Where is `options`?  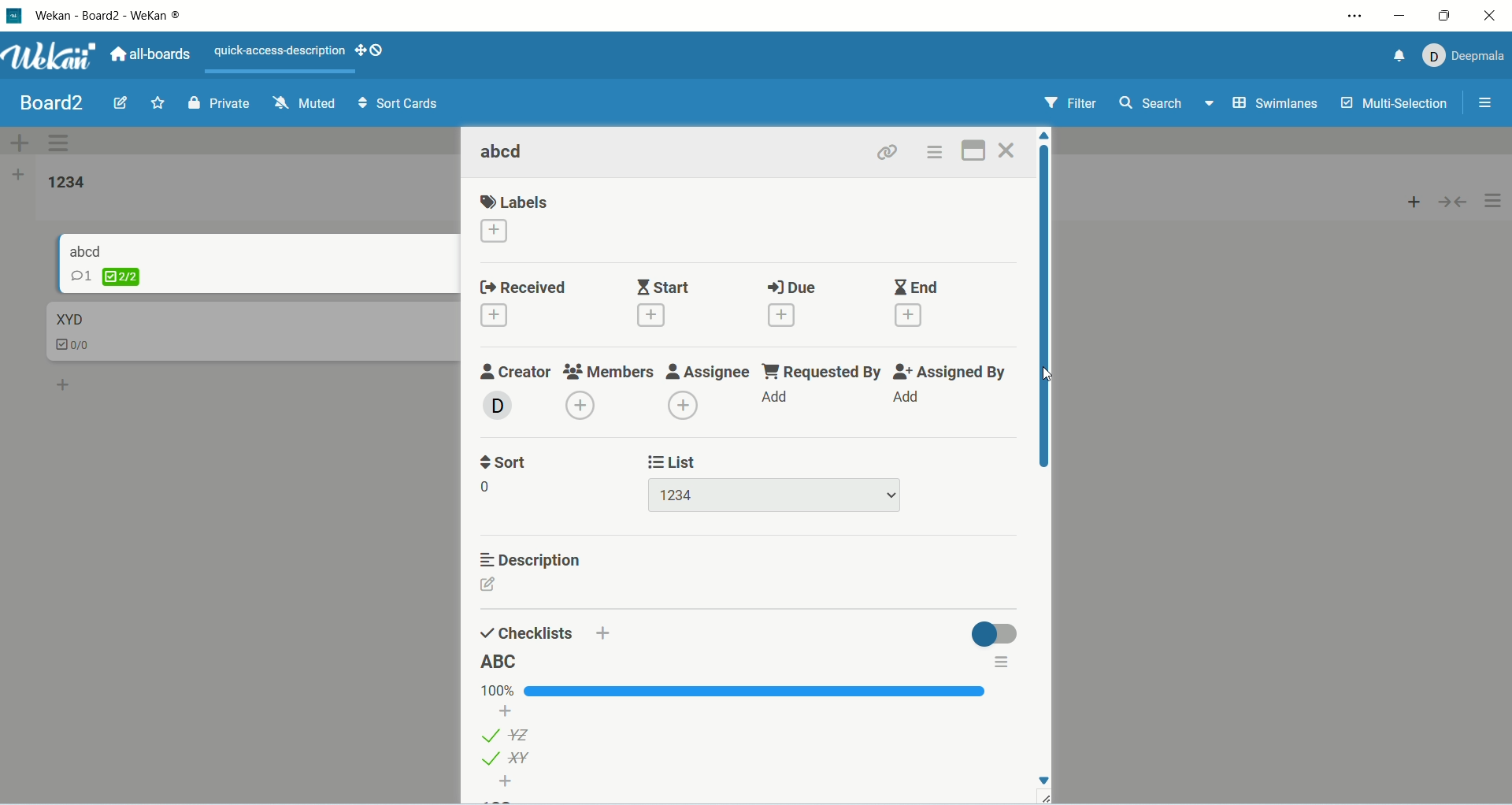
options is located at coordinates (1490, 101).